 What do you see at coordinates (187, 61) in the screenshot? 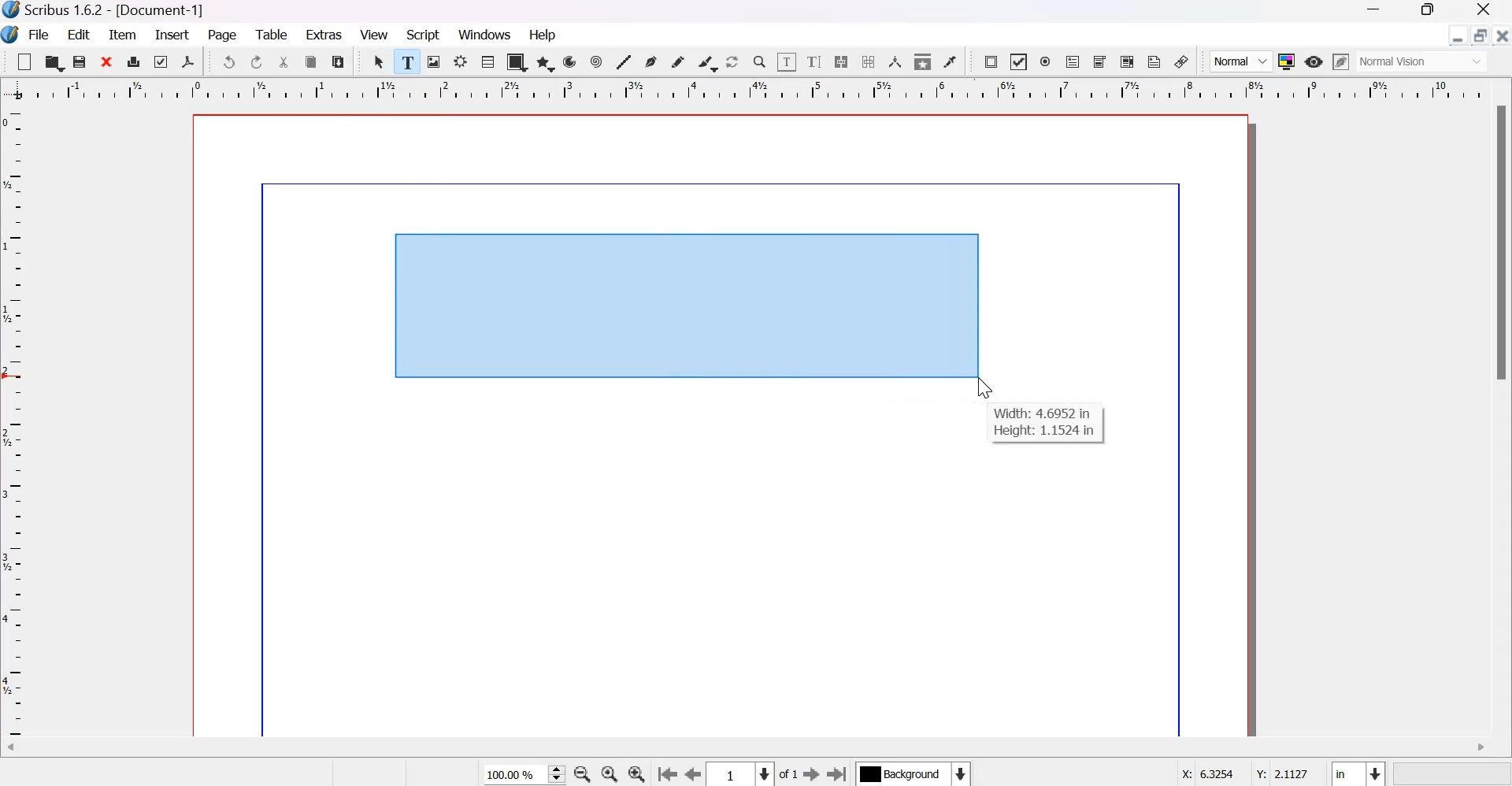
I see `save as pdf` at bounding box center [187, 61].